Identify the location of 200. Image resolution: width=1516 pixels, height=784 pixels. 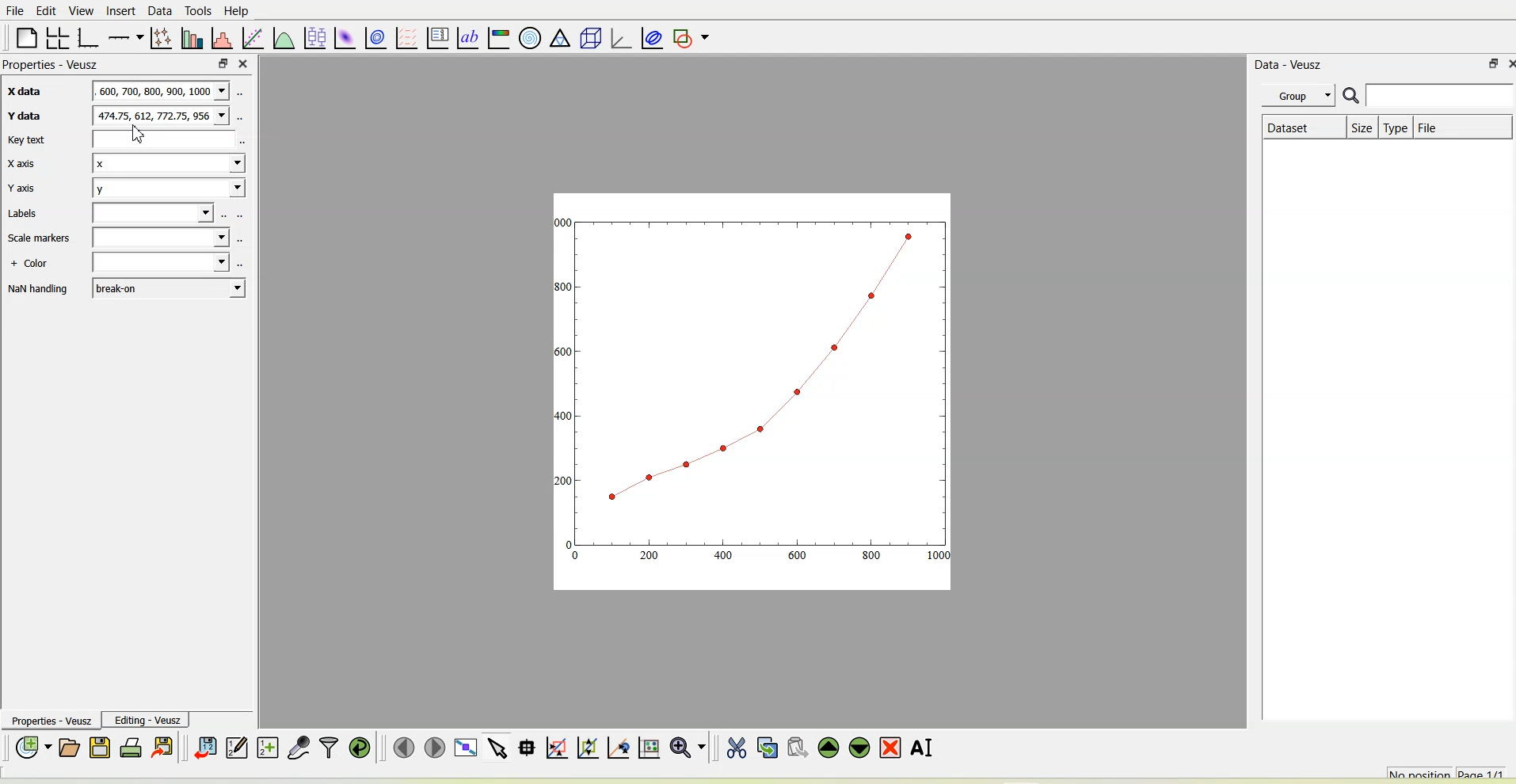
(649, 554).